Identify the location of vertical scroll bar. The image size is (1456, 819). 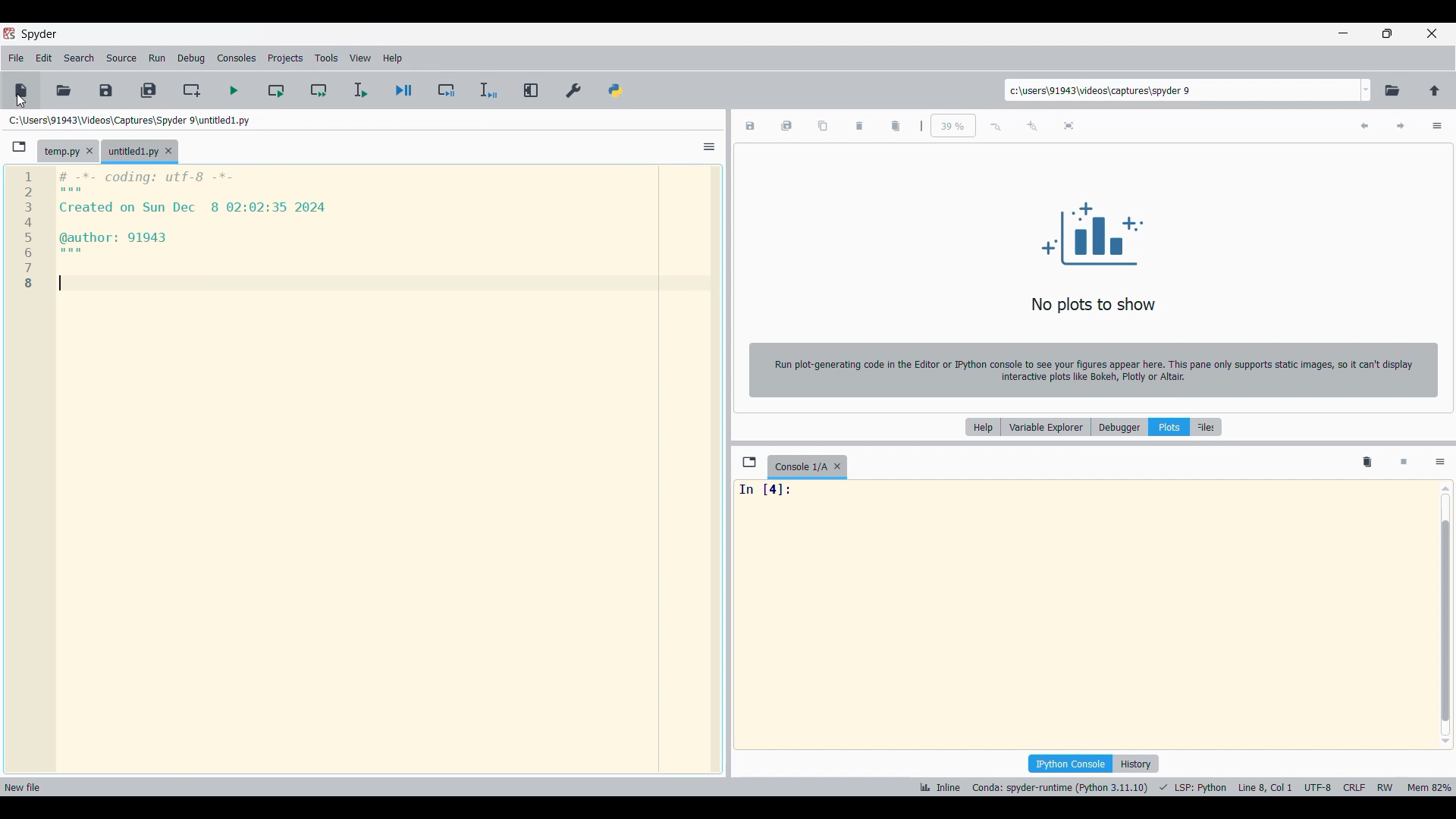
(1447, 615).